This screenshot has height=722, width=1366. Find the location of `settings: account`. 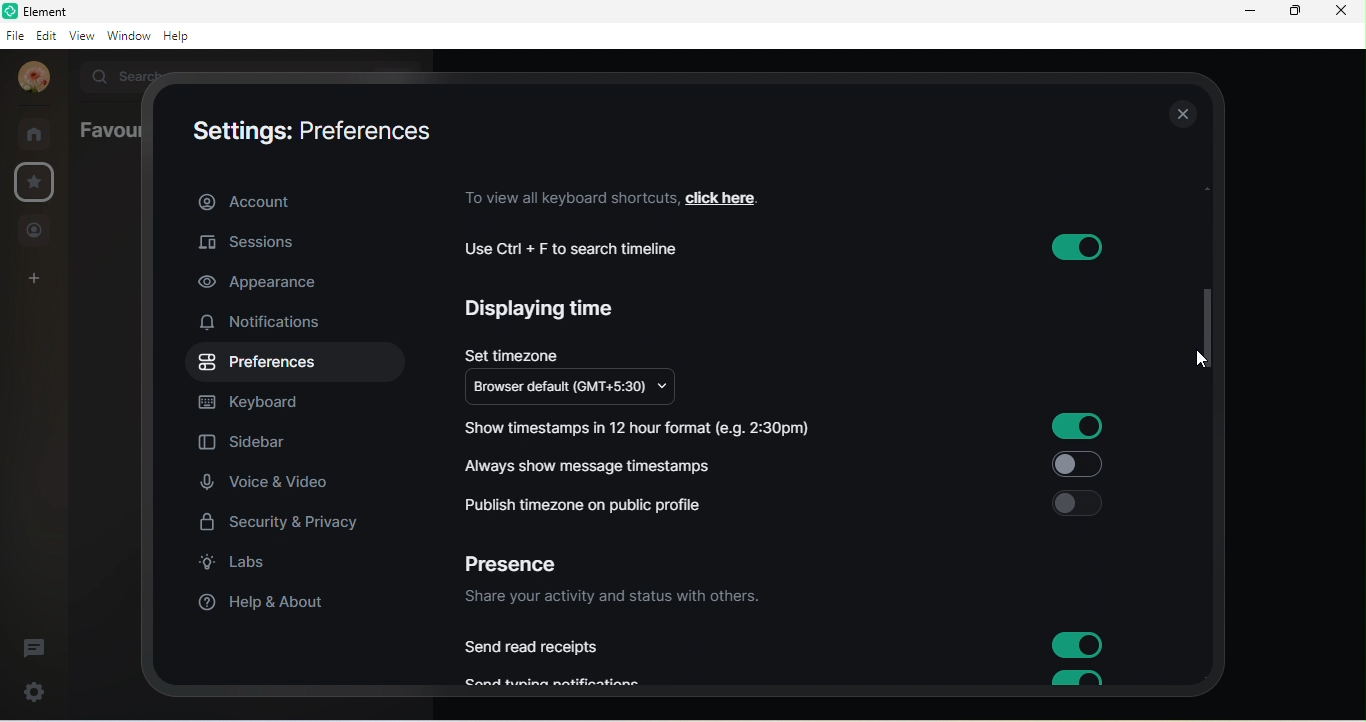

settings: account is located at coordinates (302, 130).